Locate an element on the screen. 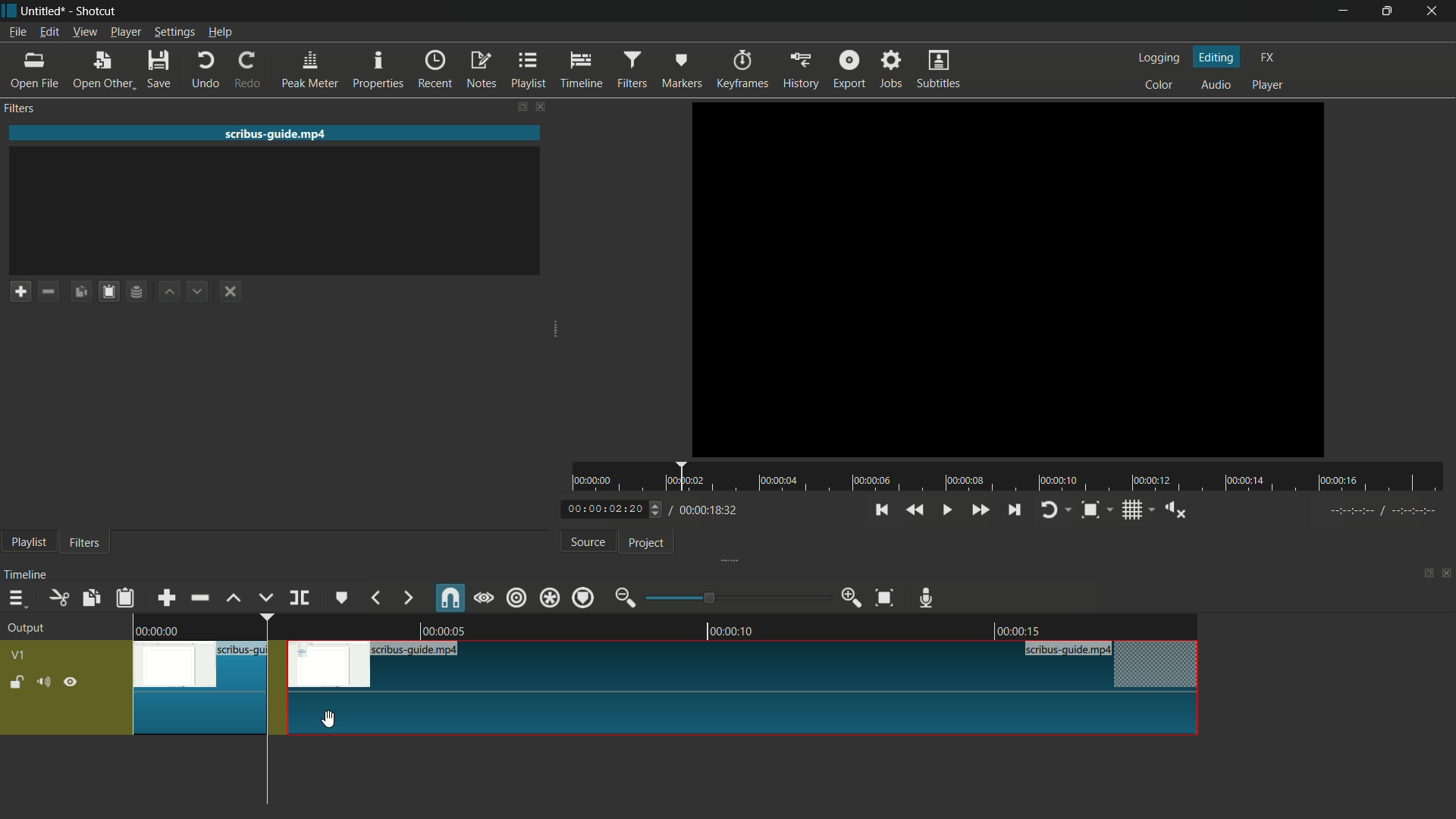 The height and width of the screenshot is (819, 1456). close timeline is located at coordinates (1447, 575).